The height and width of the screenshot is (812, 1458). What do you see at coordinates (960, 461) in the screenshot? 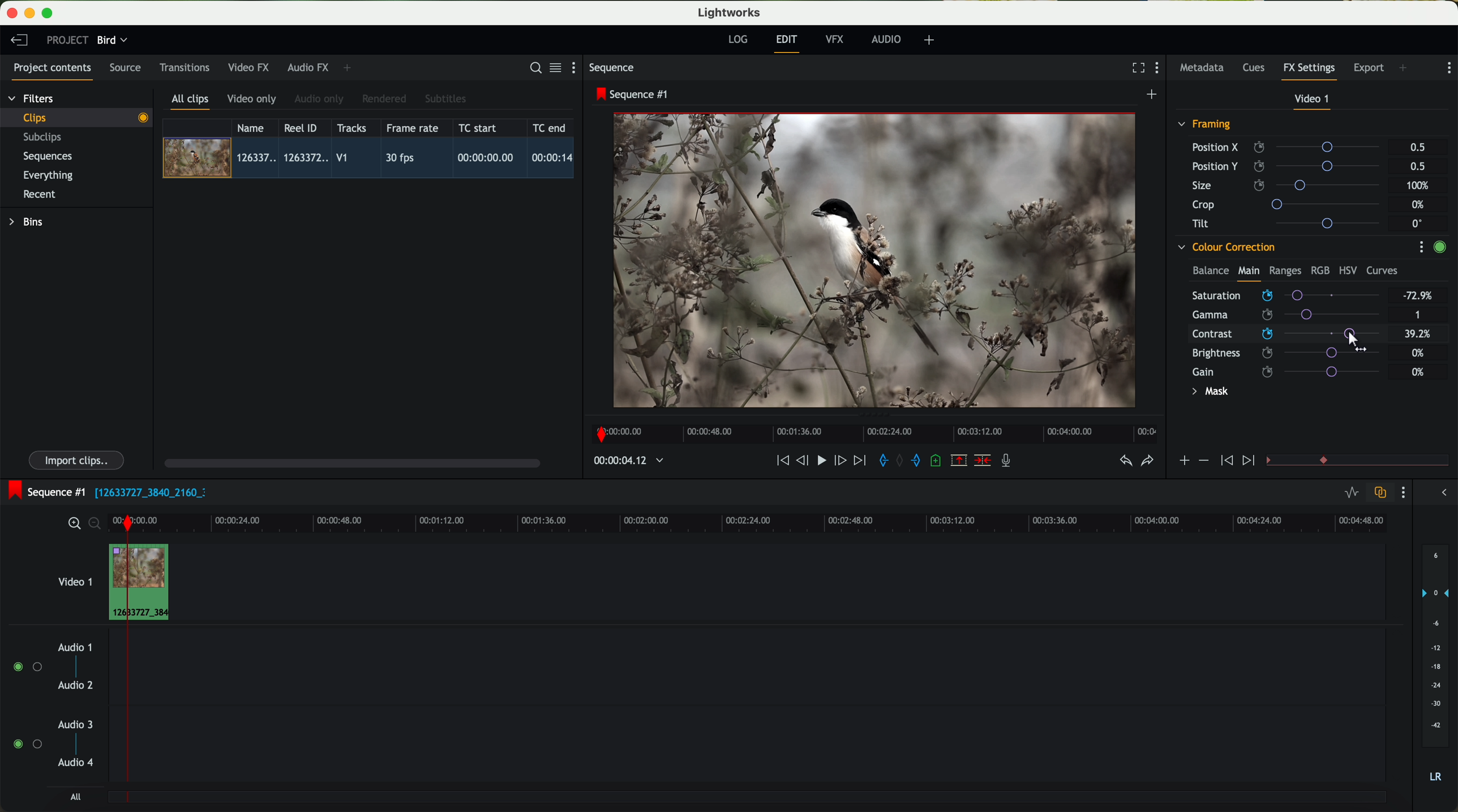
I see `remove the marked section` at bounding box center [960, 461].